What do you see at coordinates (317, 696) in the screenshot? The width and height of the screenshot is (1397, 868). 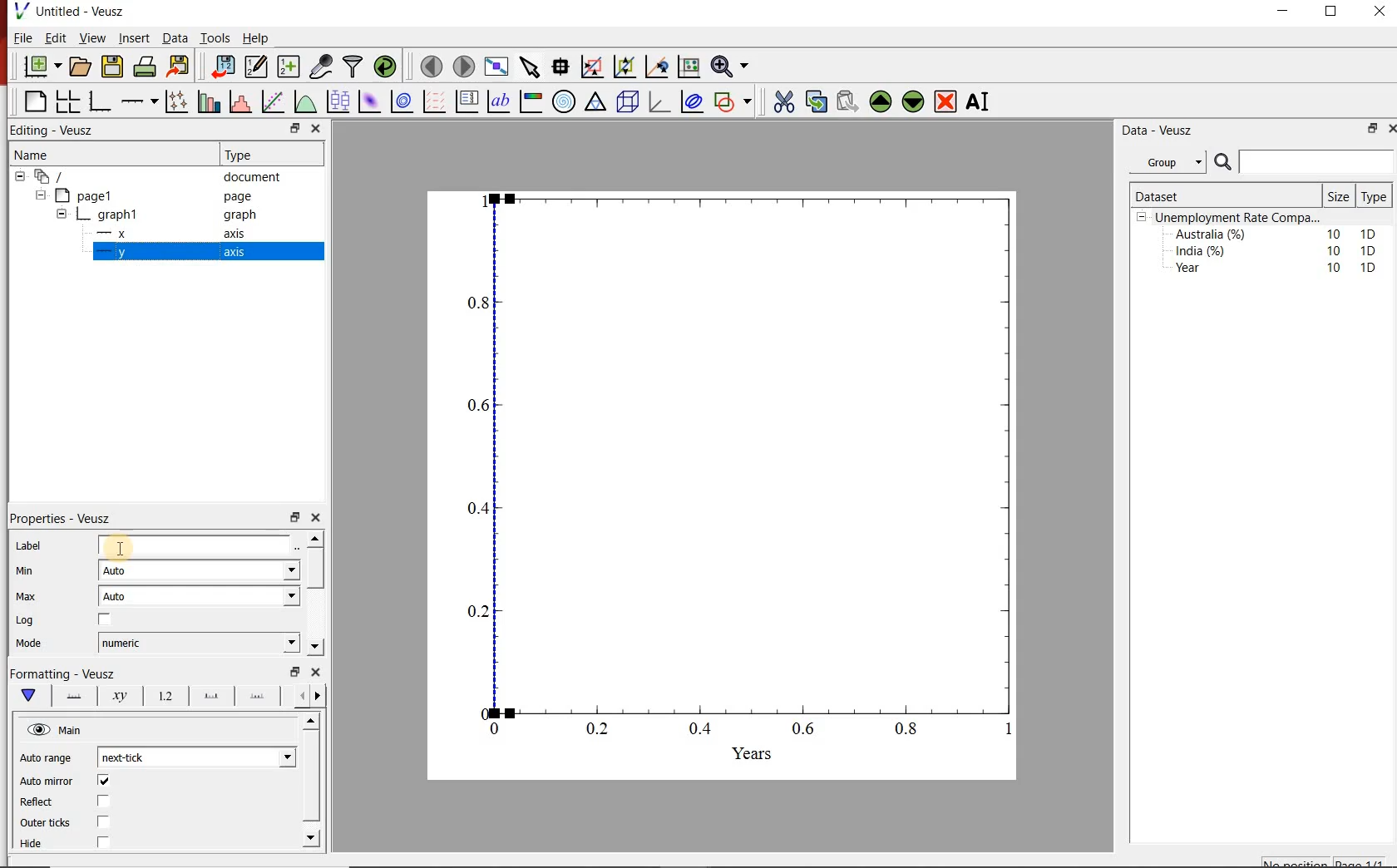 I see `move right` at bounding box center [317, 696].